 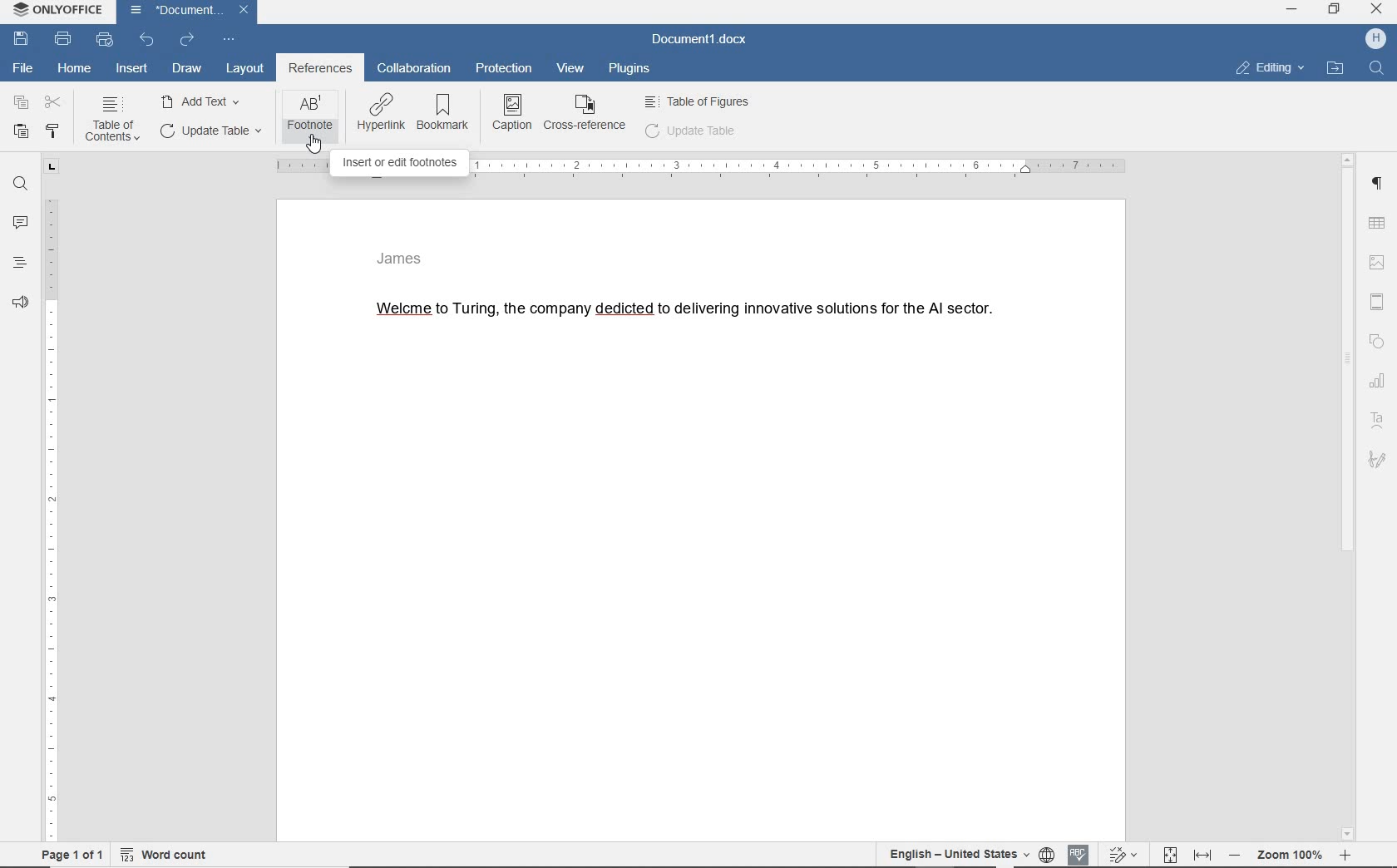 I want to click on save, so click(x=21, y=39).